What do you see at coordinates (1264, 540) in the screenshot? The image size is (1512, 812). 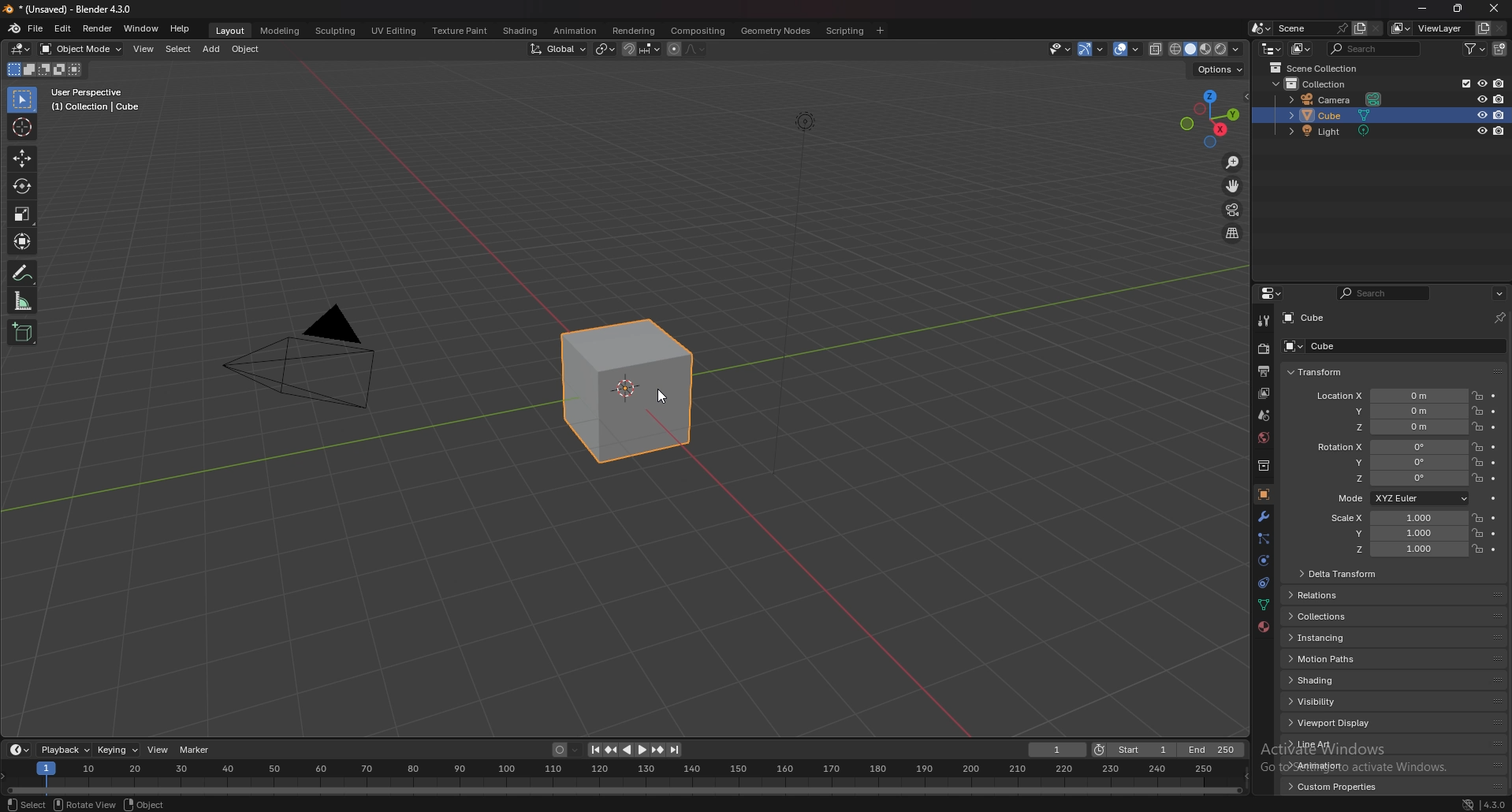 I see `particles` at bounding box center [1264, 540].